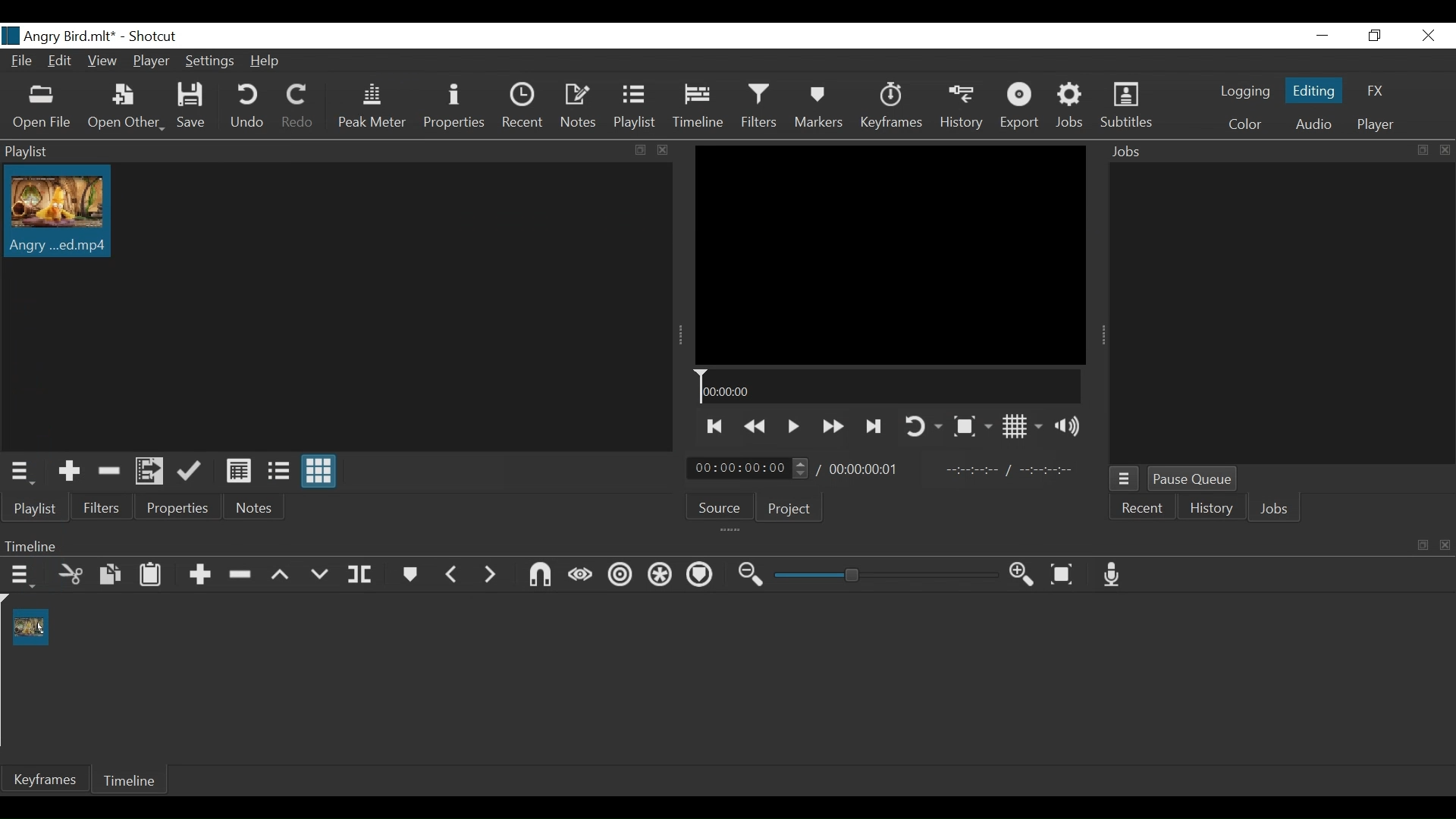 This screenshot has height=819, width=1456. I want to click on File, so click(20, 60).